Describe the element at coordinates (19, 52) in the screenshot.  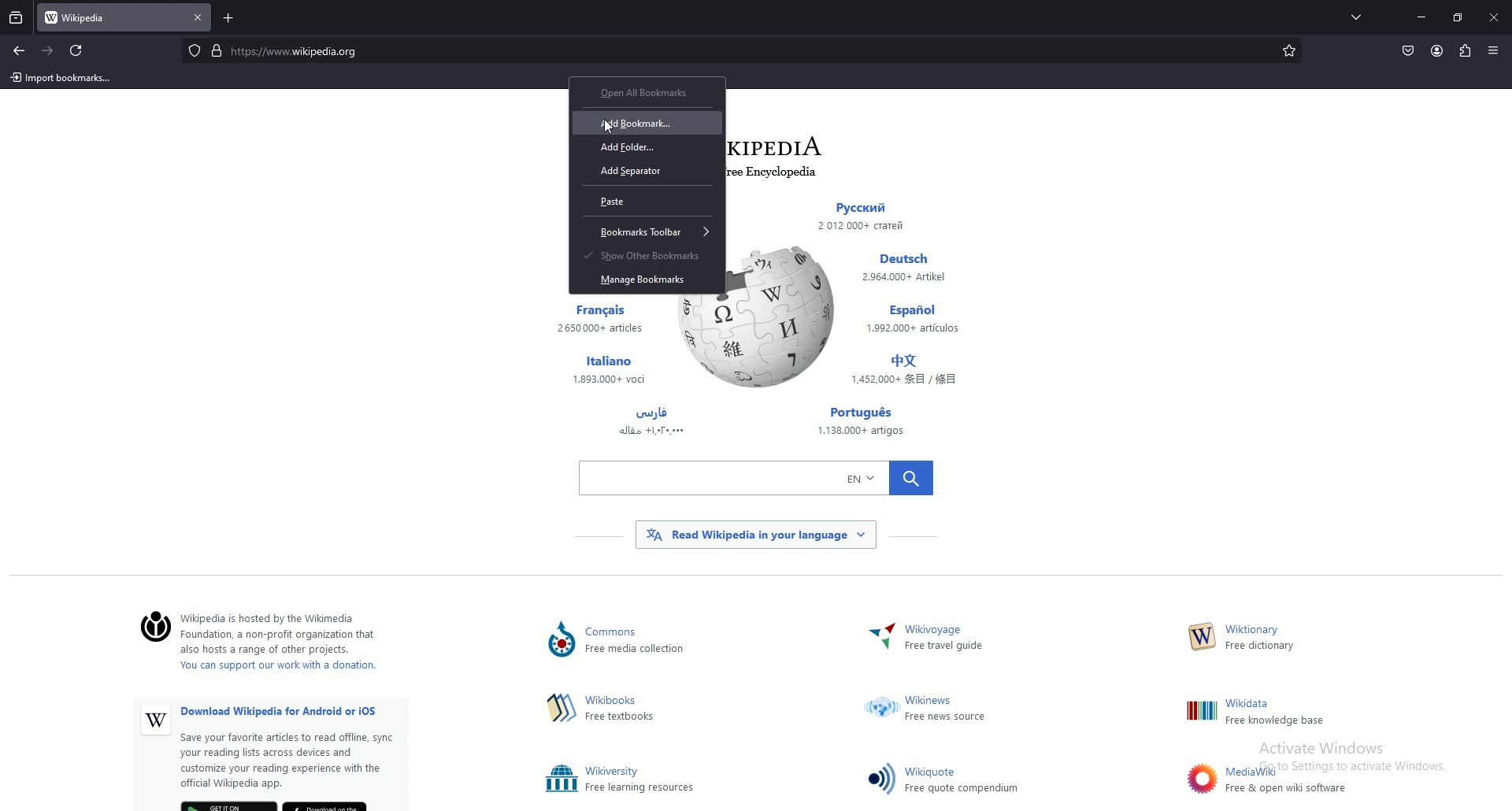
I see `backward` at that location.